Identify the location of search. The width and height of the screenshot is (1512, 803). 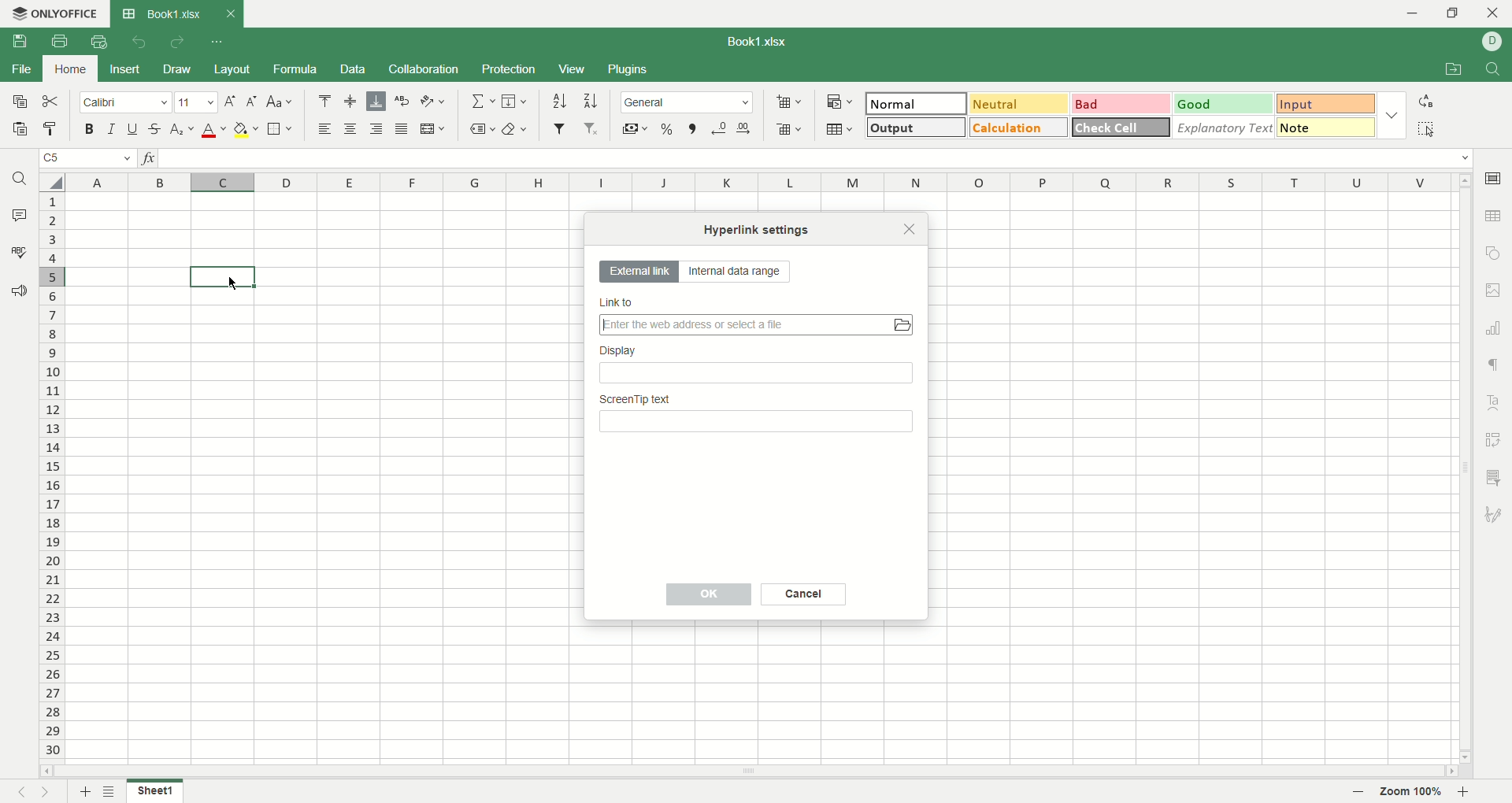
(21, 181).